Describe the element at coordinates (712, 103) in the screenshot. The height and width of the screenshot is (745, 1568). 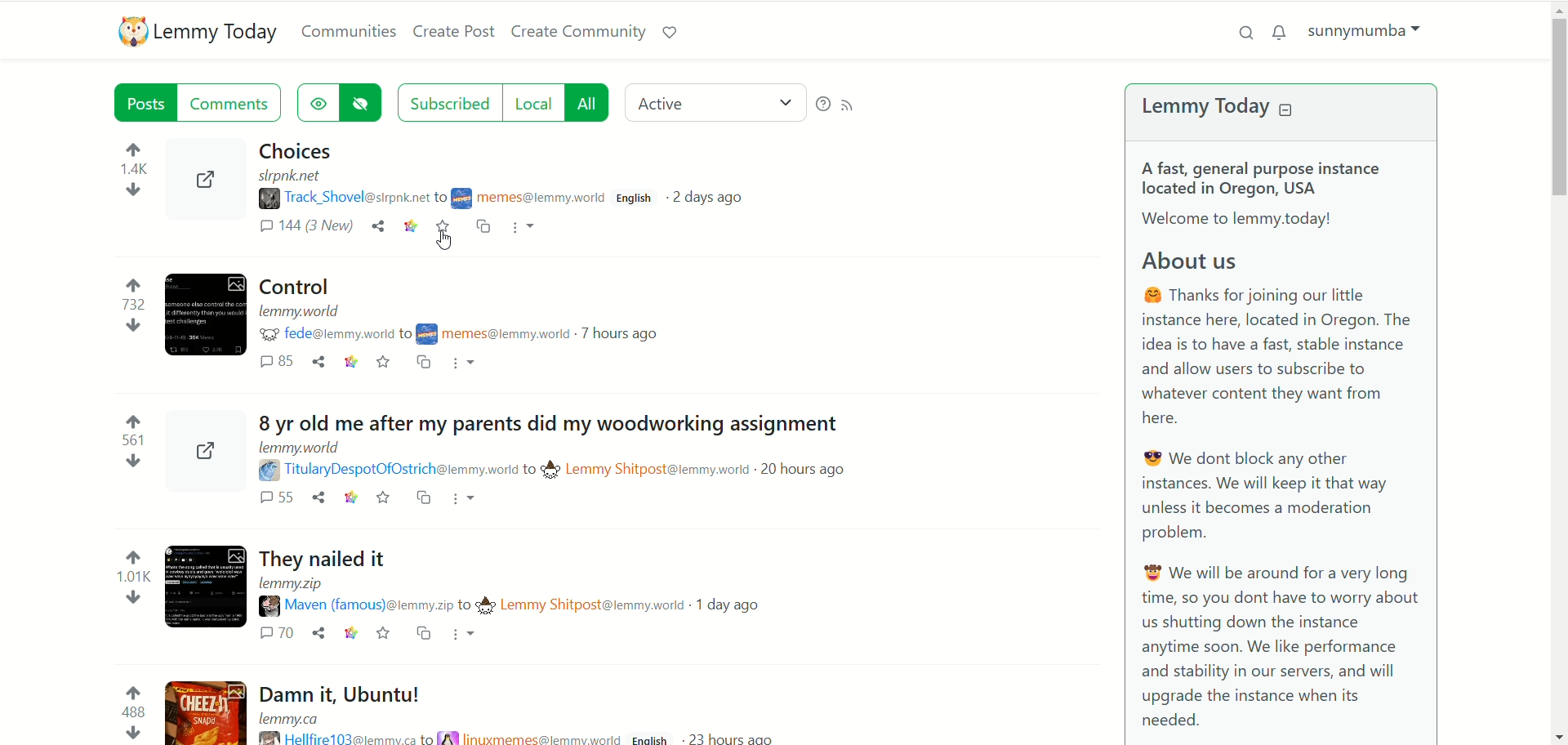
I see `active` at that location.